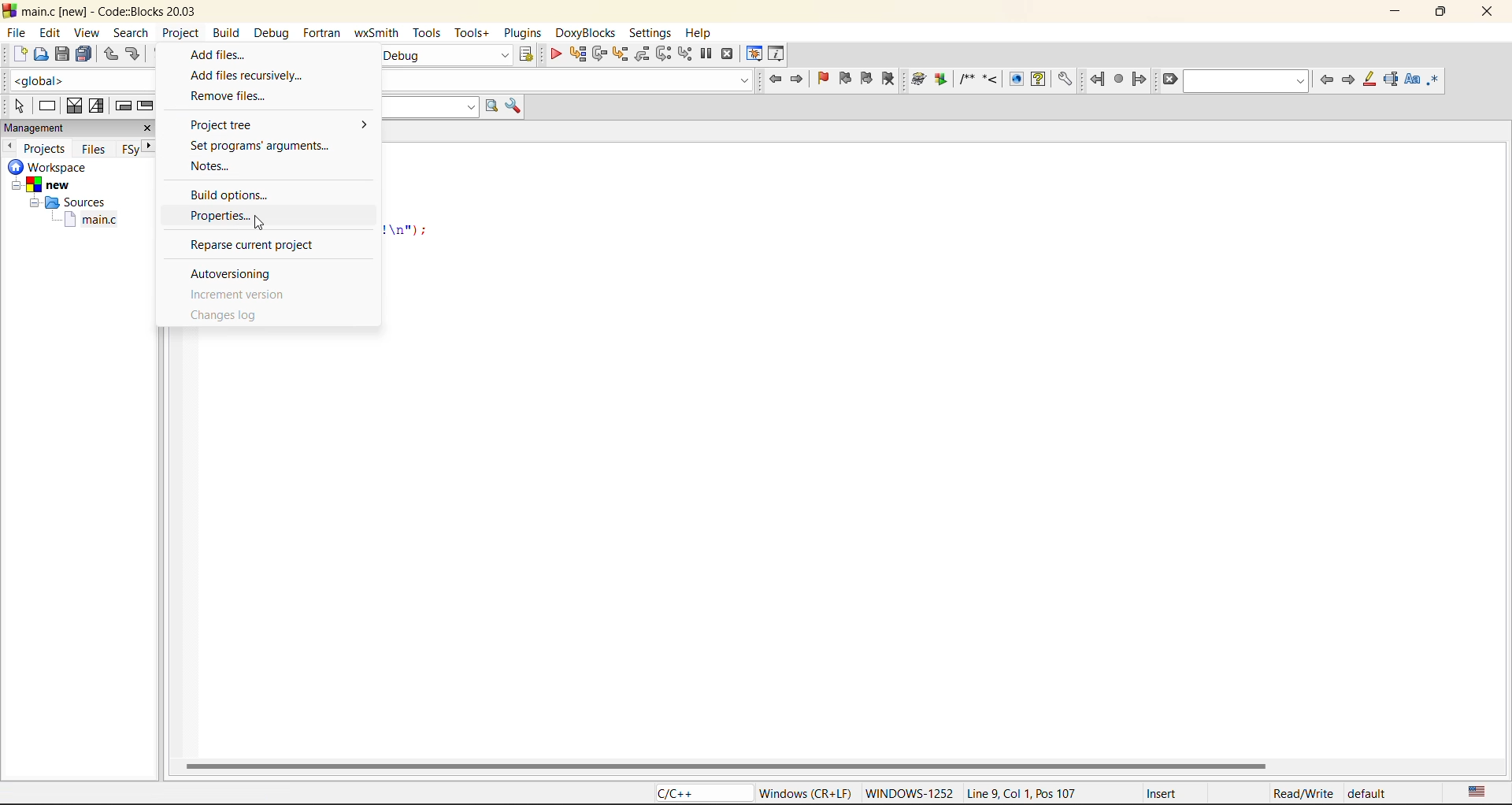  I want to click on WINDOWS-1252, so click(908, 795).